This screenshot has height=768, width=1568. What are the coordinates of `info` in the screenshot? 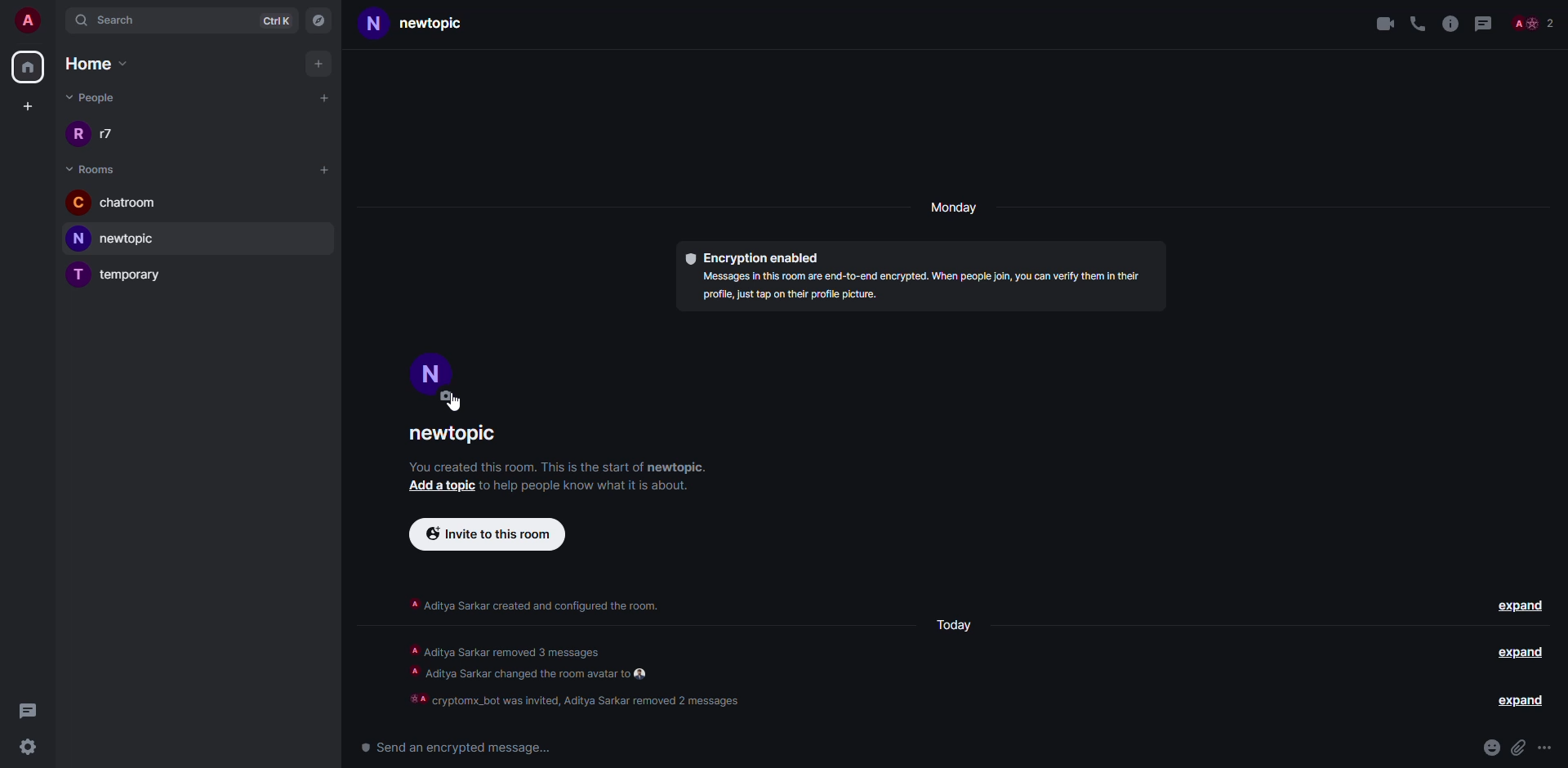 It's located at (532, 605).